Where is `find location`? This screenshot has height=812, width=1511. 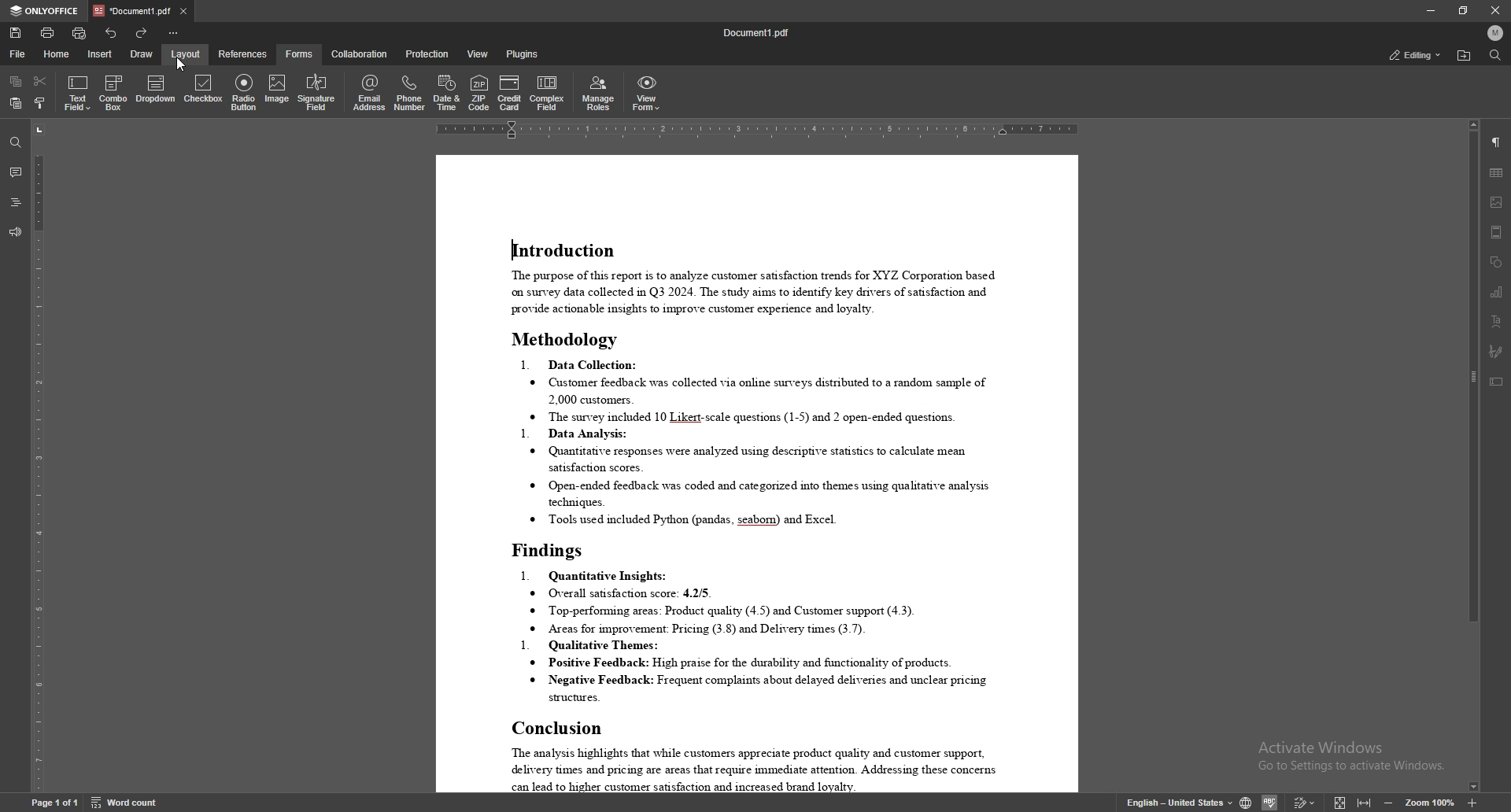
find location is located at coordinates (1465, 56).